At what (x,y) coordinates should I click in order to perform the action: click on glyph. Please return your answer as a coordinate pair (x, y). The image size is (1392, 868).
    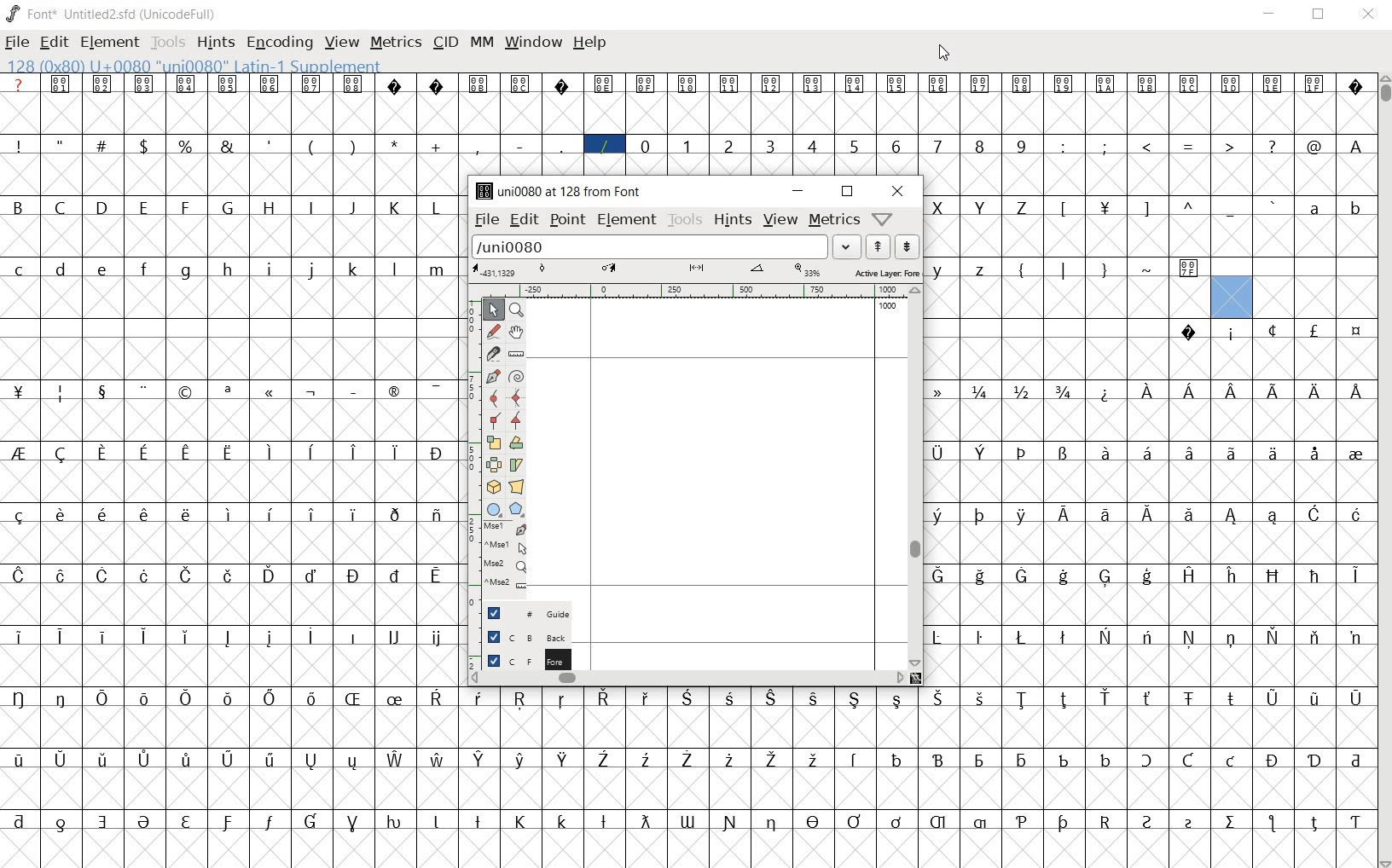
    Looking at the image, I should click on (1273, 516).